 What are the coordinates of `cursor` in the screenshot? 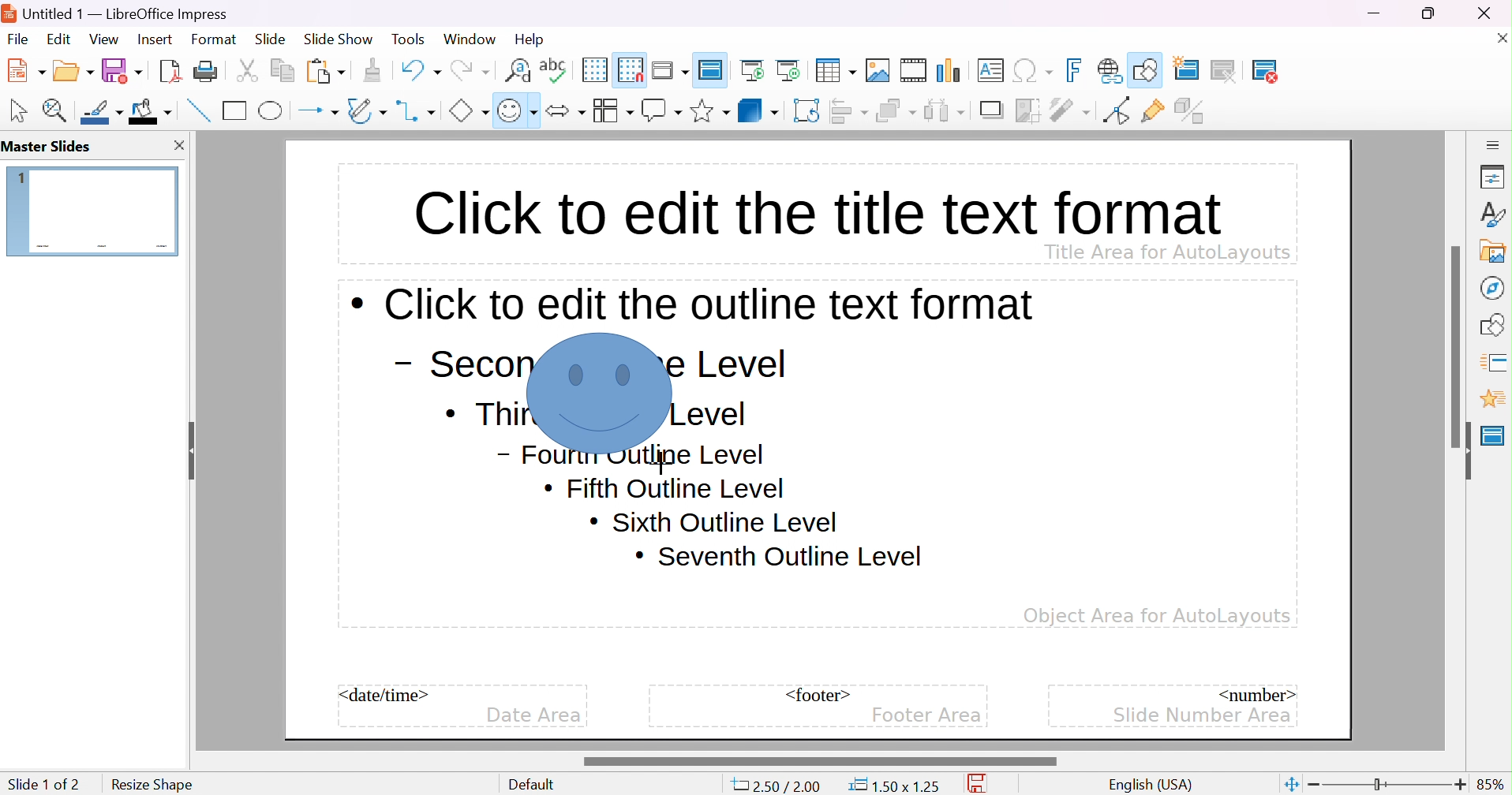 It's located at (660, 460).